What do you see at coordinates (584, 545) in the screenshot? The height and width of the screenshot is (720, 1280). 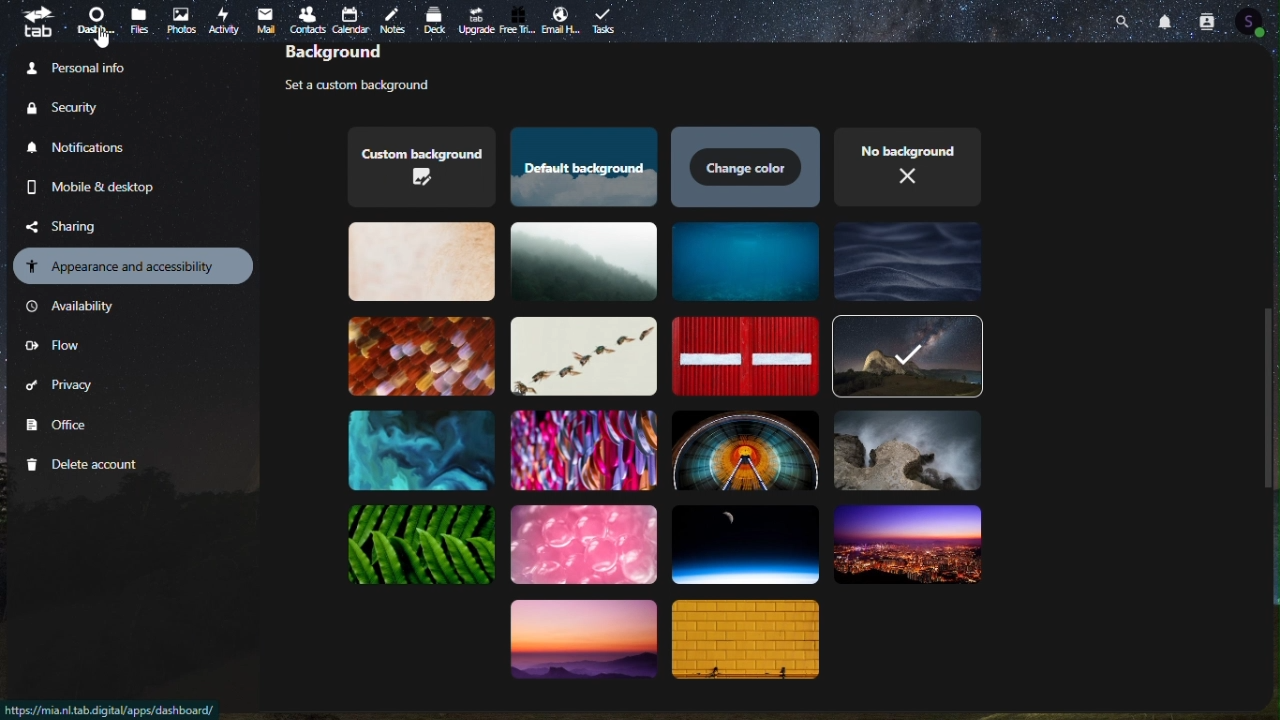 I see `Themes` at bounding box center [584, 545].